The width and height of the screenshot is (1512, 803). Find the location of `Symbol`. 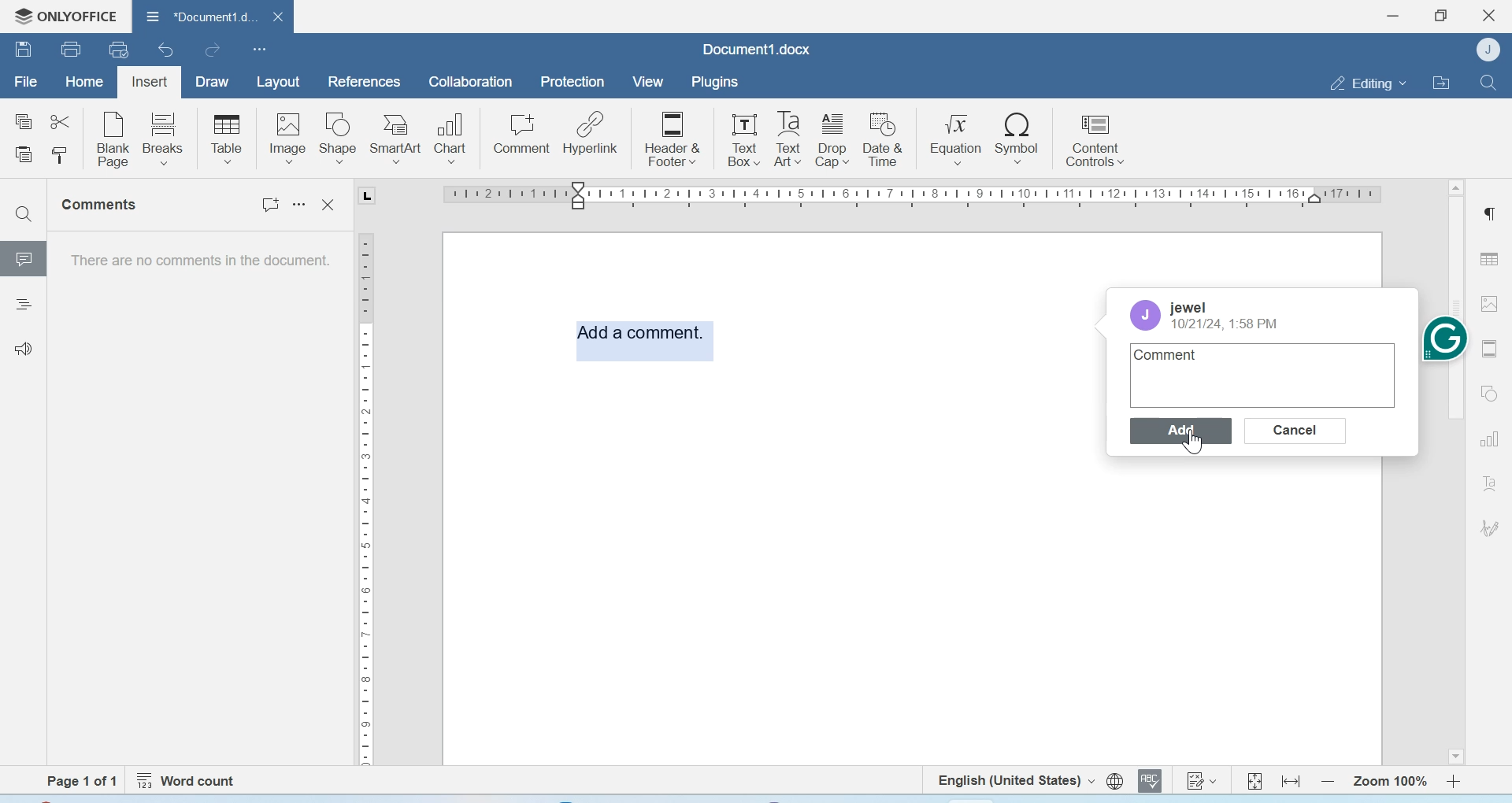

Symbol is located at coordinates (1018, 137).